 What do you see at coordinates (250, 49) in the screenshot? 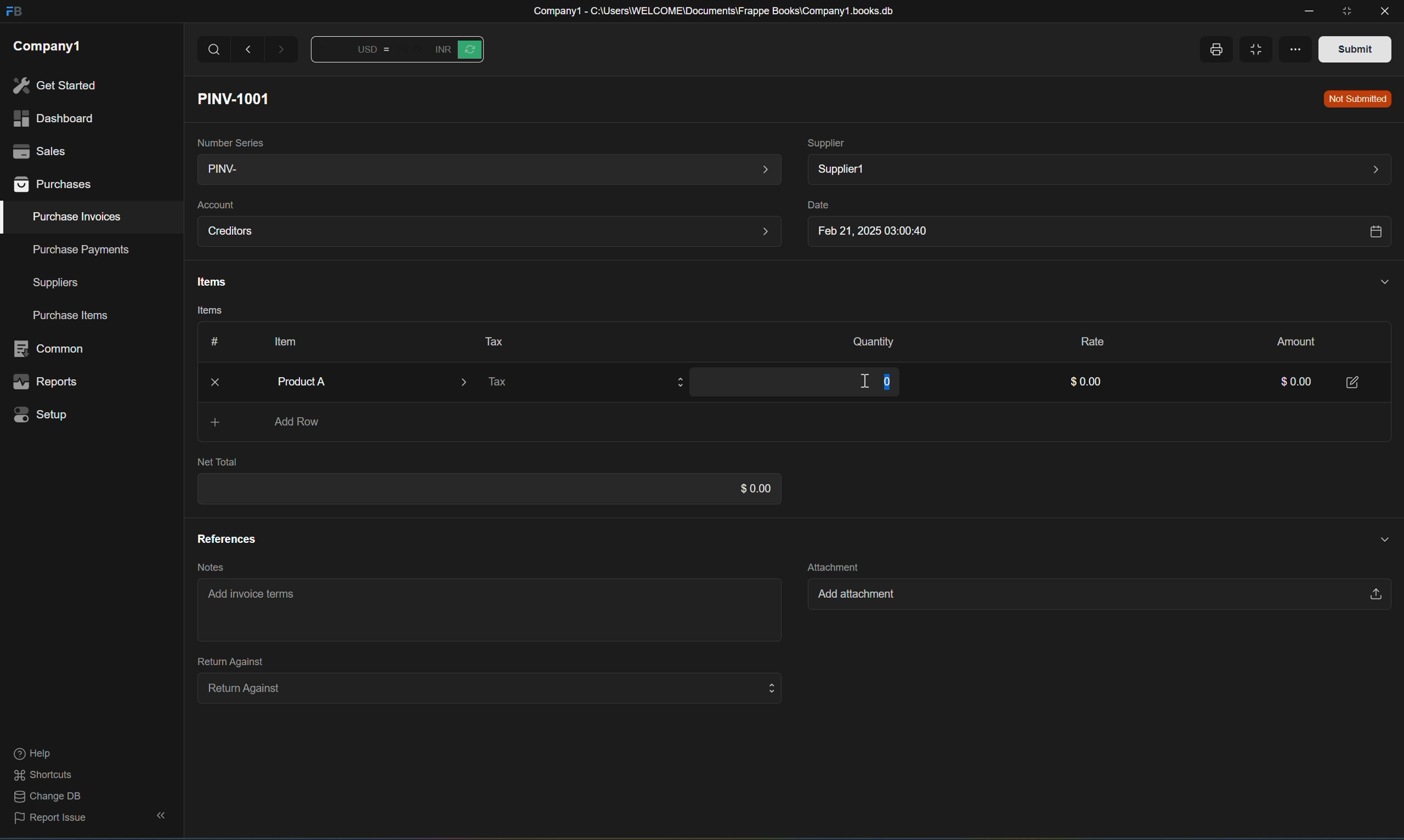
I see `Back` at bounding box center [250, 49].